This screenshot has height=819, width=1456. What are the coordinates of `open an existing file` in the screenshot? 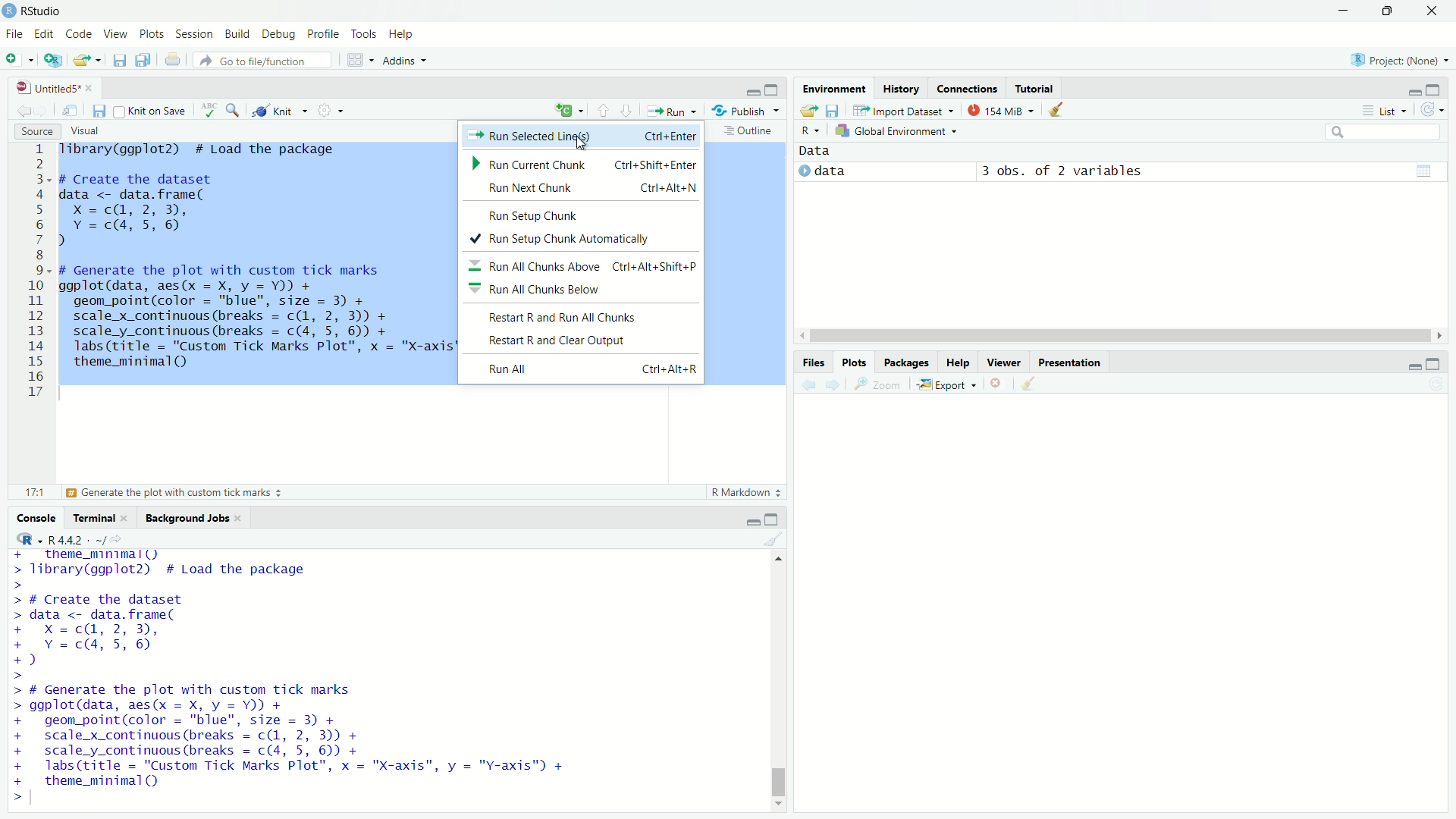 It's located at (89, 59).